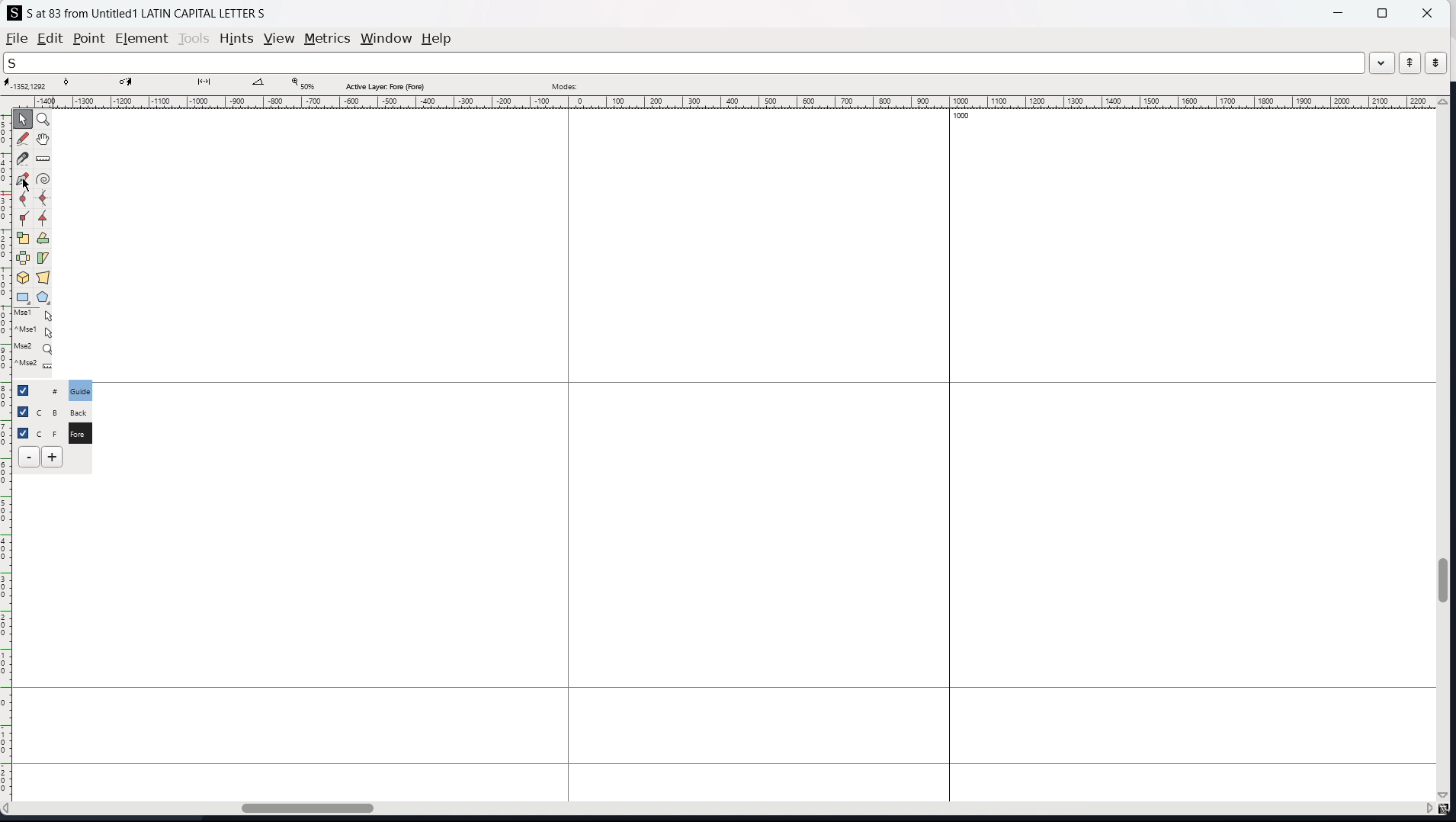 The width and height of the screenshot is (1456, 822). I want to click on hints, so click(237, 39).